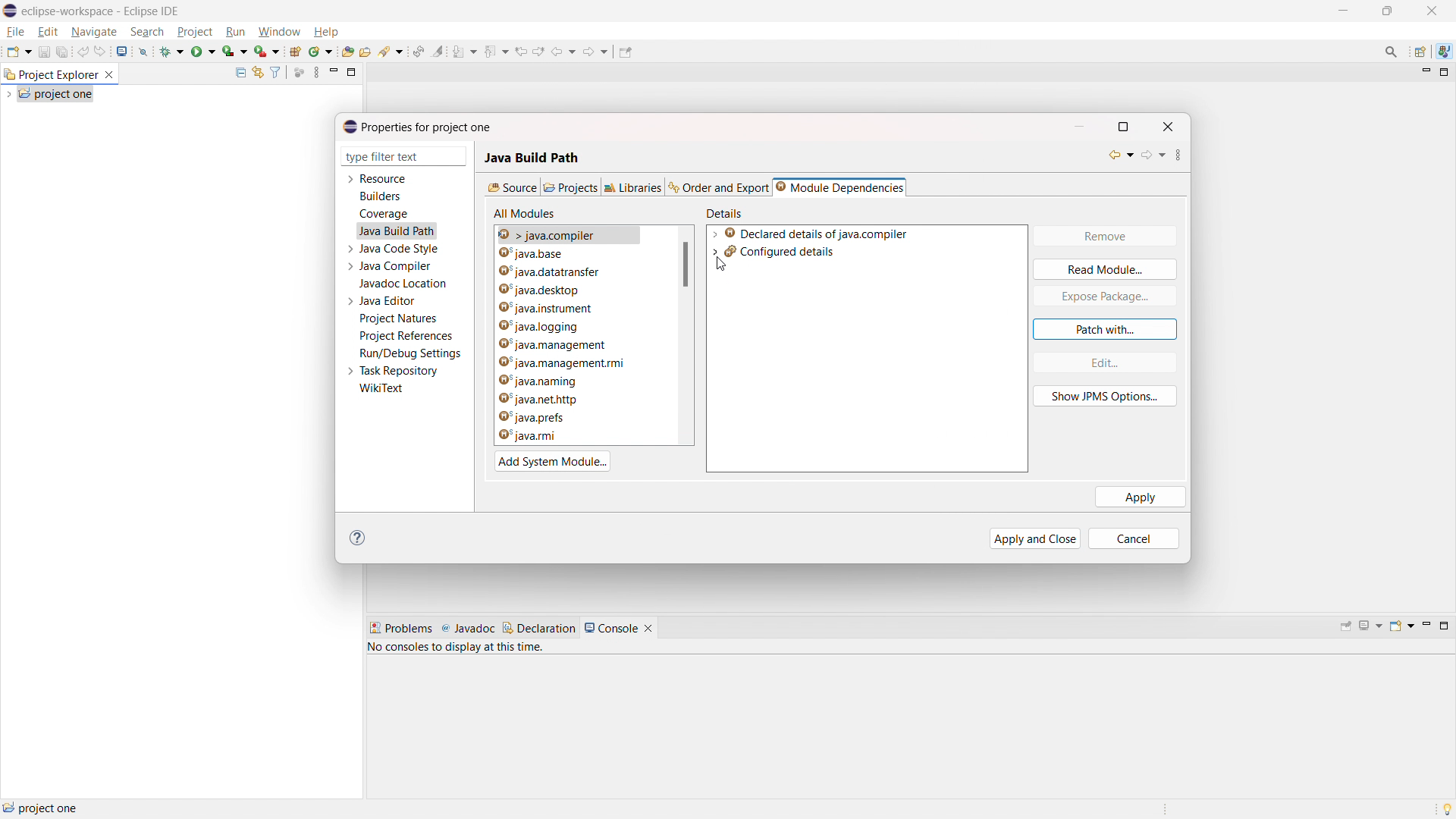 The height and width of the screenshot is (819, 1456). I want to click on pin console, so click(1346, 627).